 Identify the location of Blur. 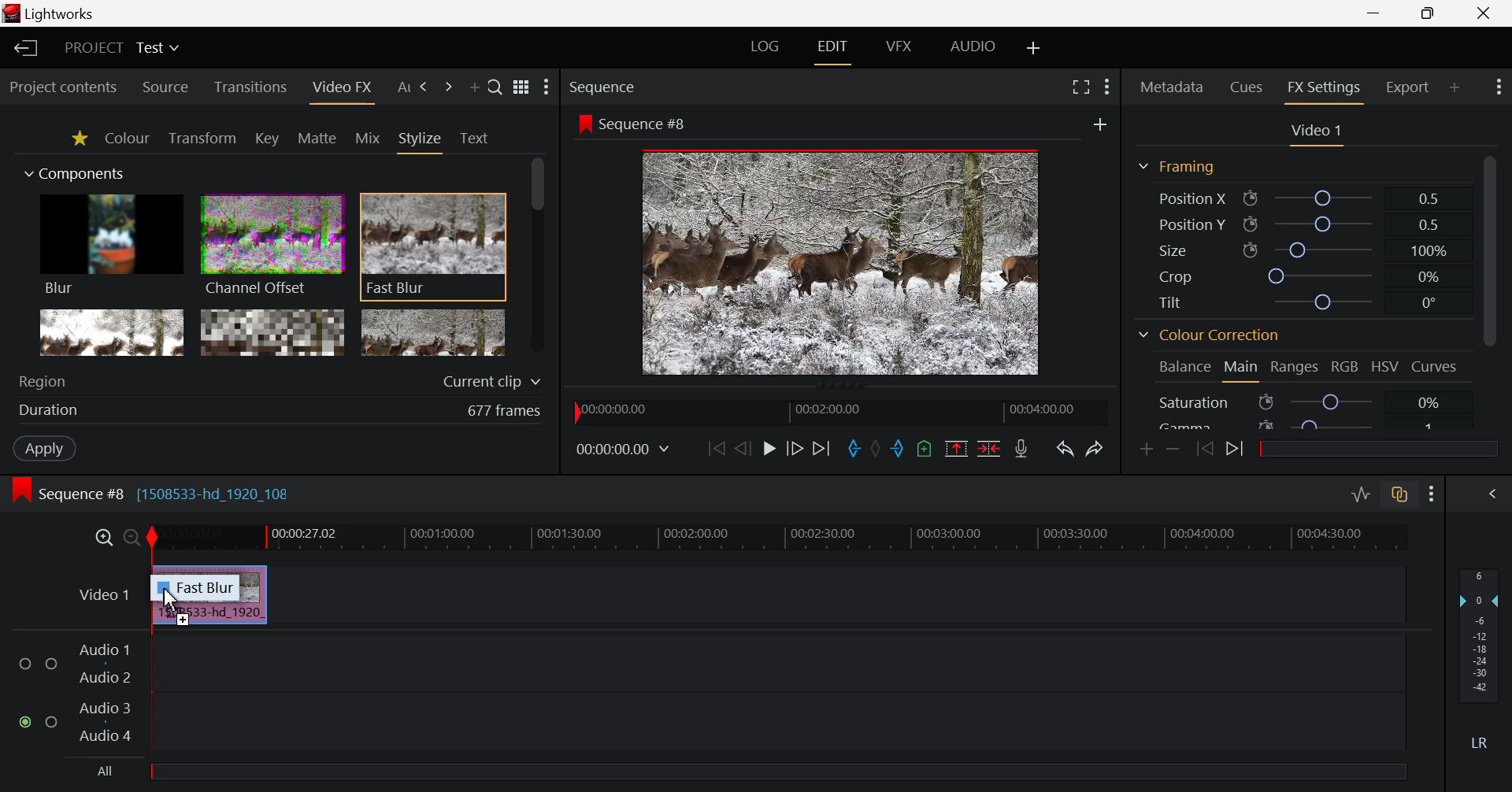
(113, 246).